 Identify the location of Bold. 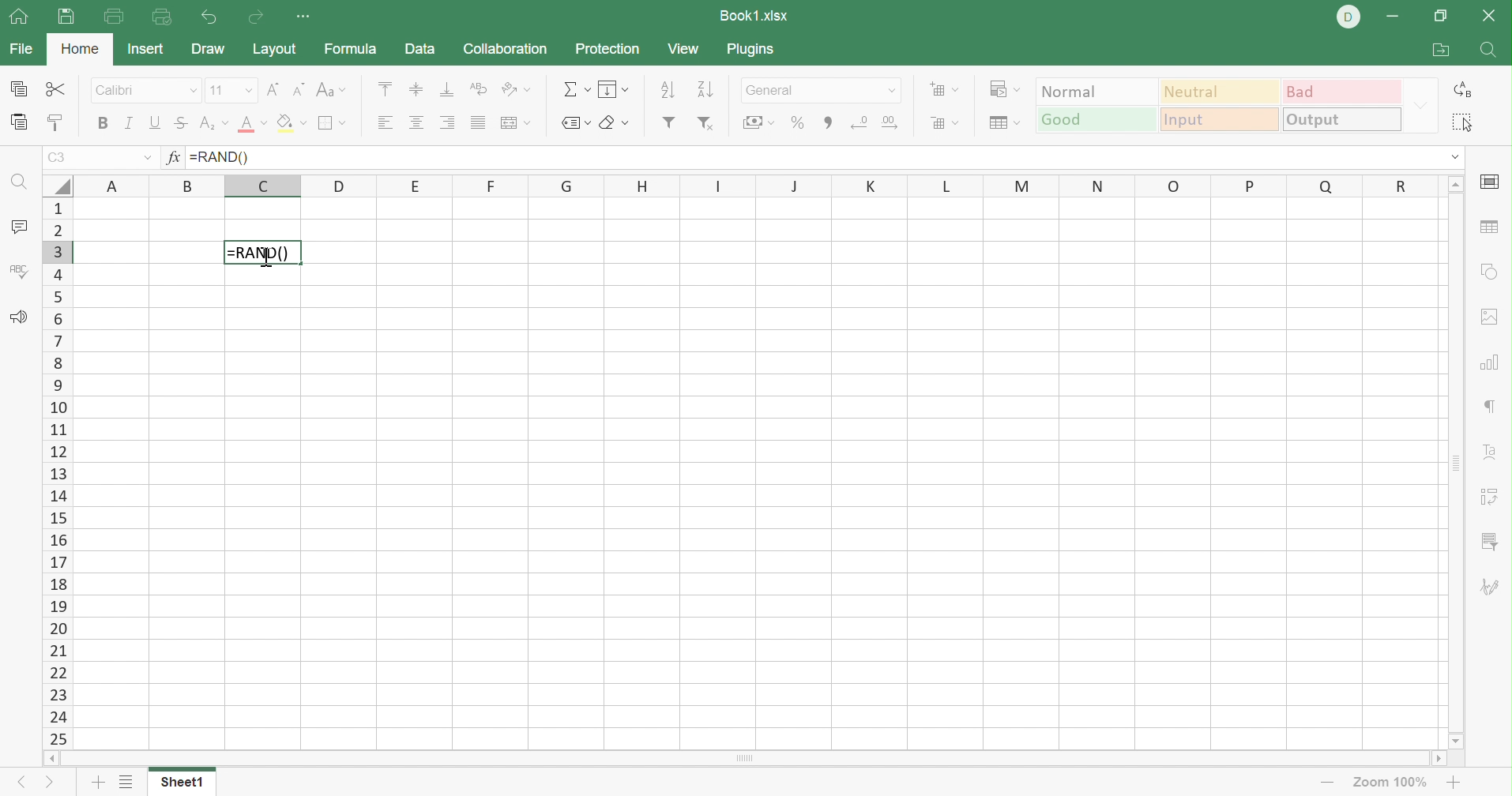
(103, 123).